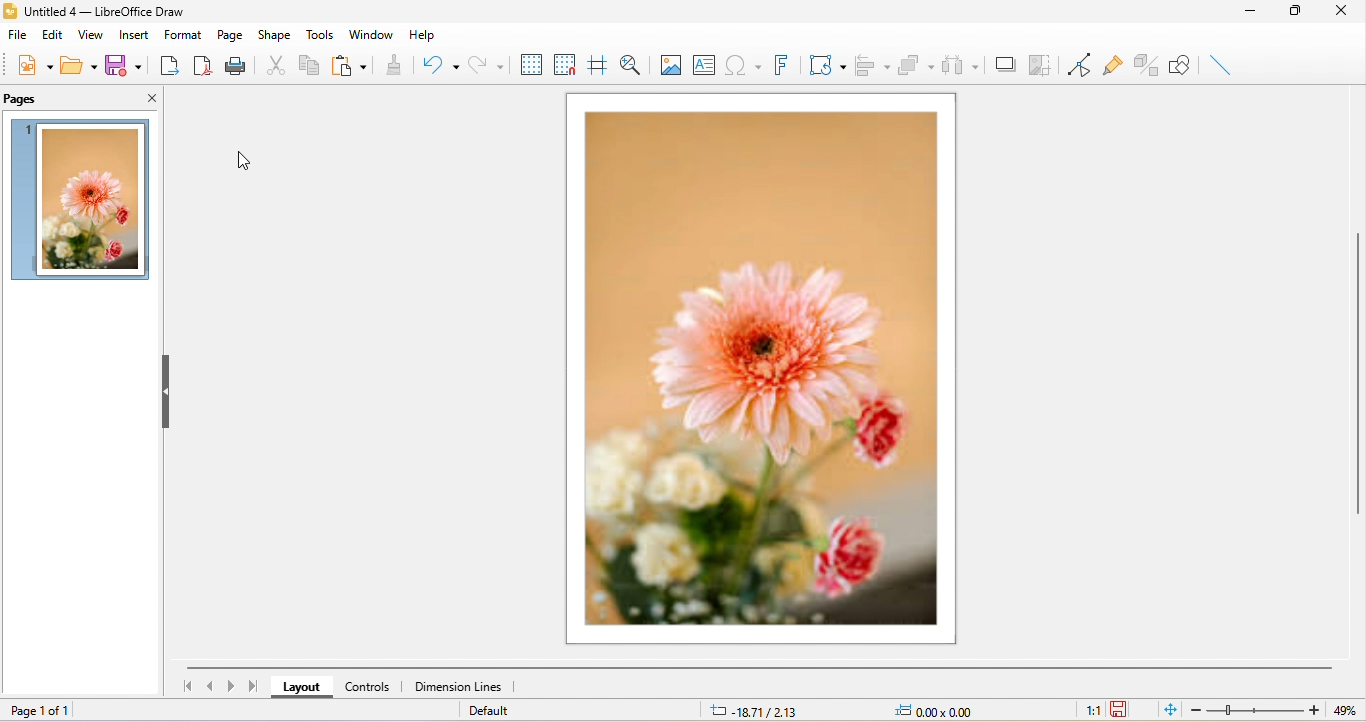 This screenshot has height=722, width=1366. I want to click on paste, so click(352, 67).